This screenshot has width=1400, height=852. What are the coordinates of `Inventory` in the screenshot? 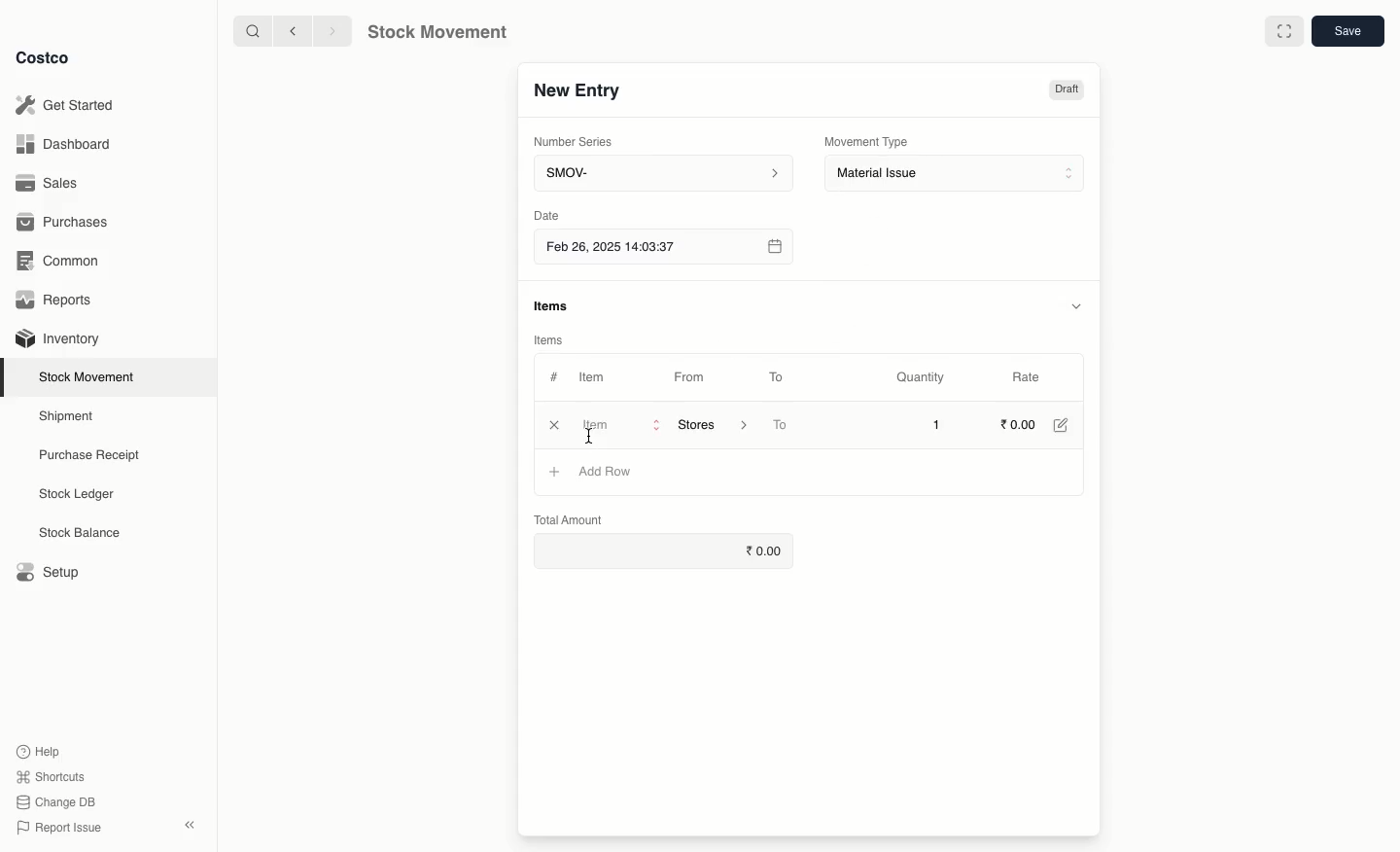 It's located at (60, 339).